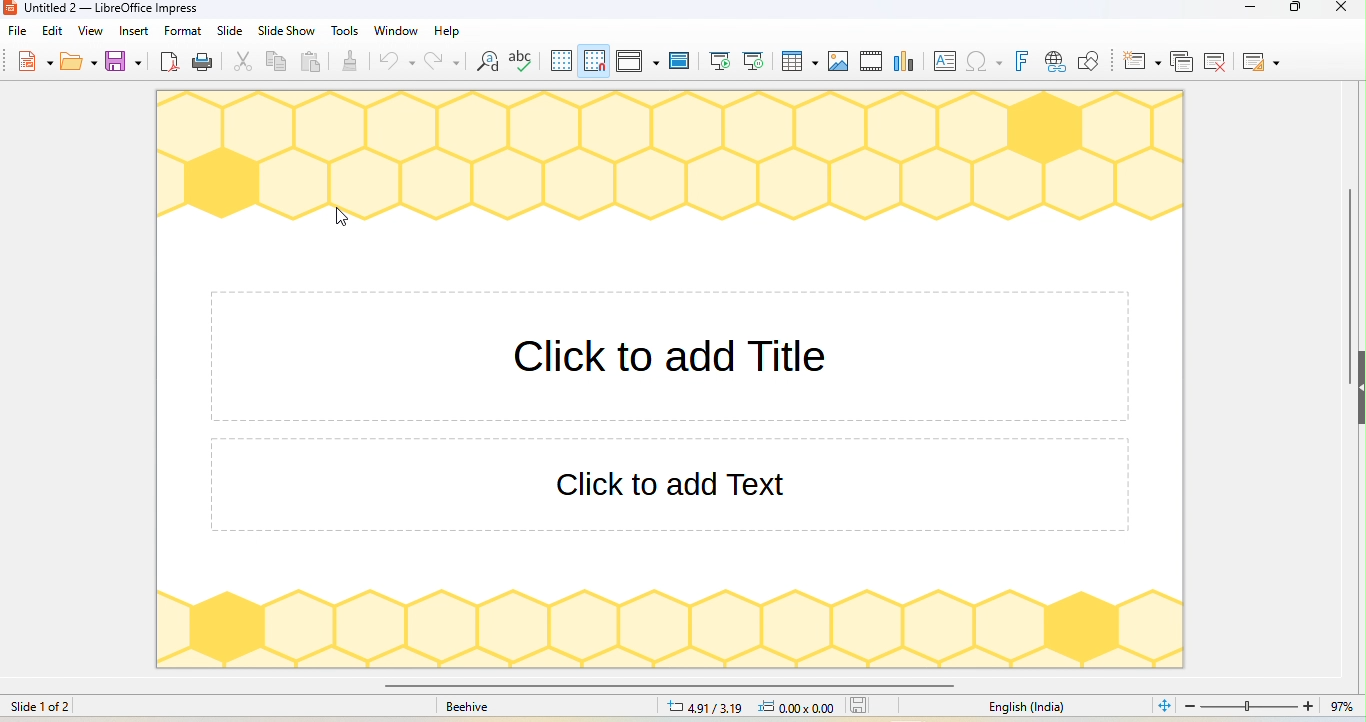 The width and height of the screenshot is (1366, 722). Describe the element at coordinates (1361, 388) in the screenshot. I see `Collapse/Expand sidebar` at that location.